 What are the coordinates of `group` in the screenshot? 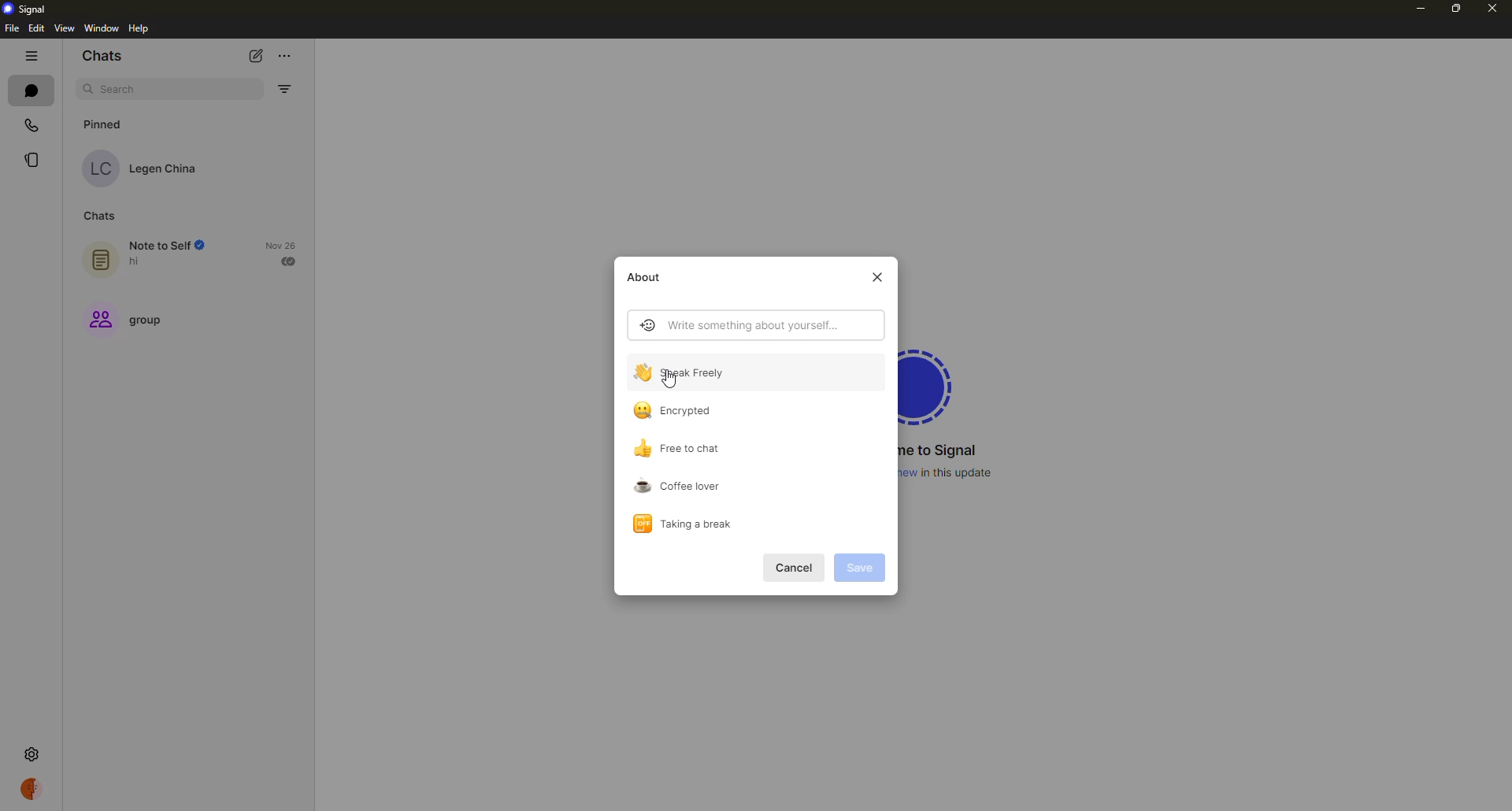 It's located at (130, 322).